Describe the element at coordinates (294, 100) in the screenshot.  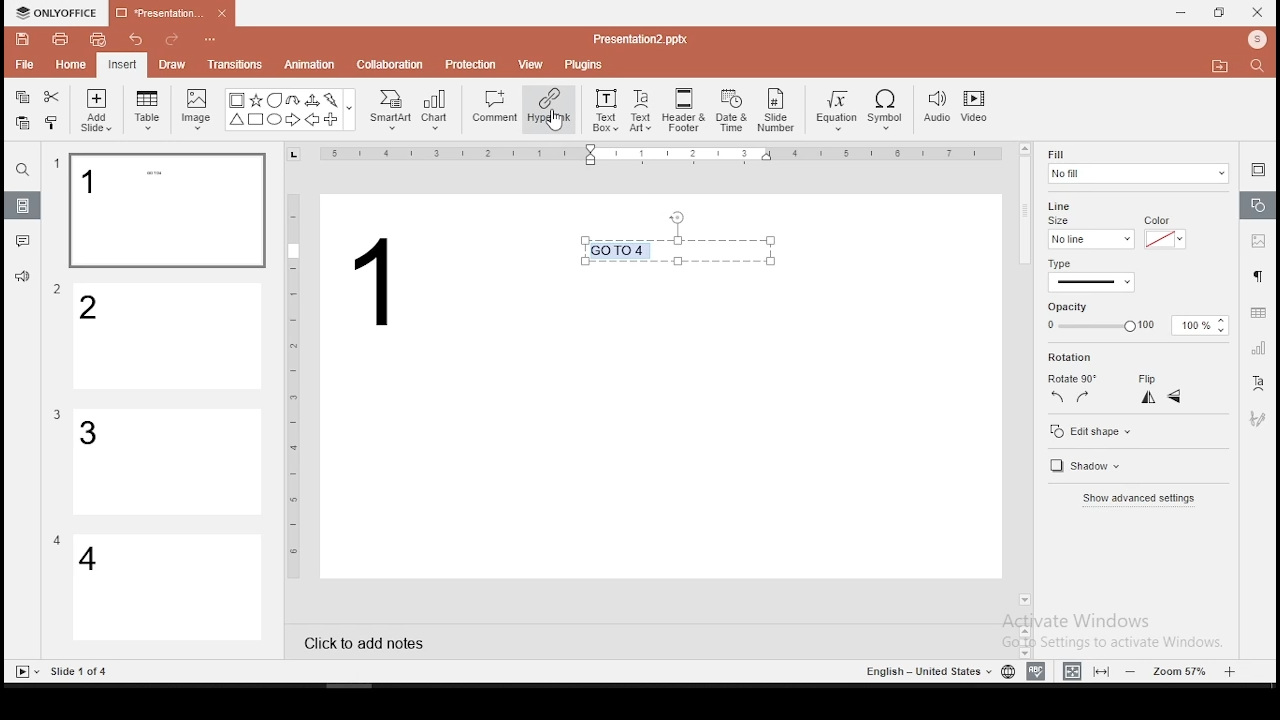
I see `U Arrow` at that location.